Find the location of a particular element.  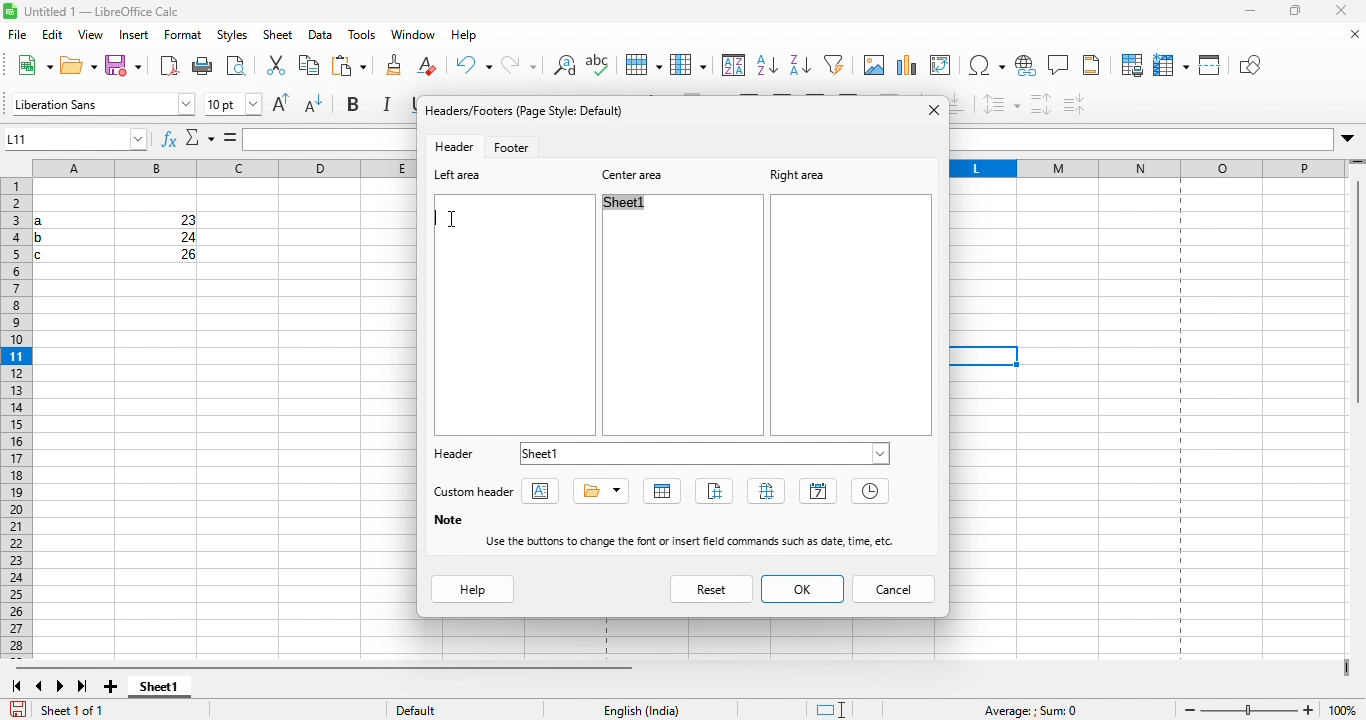

footer is located at coordinates (515, 146).